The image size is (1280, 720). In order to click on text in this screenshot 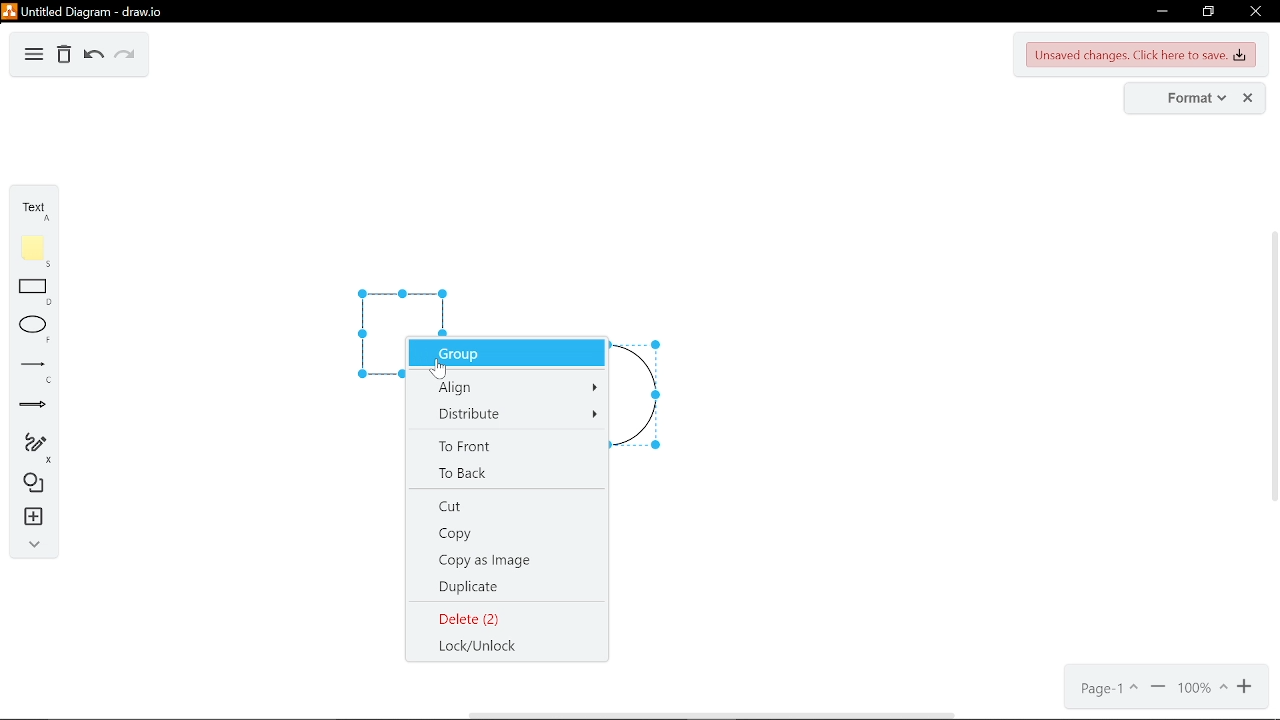, I will do `click(33, 209)`.